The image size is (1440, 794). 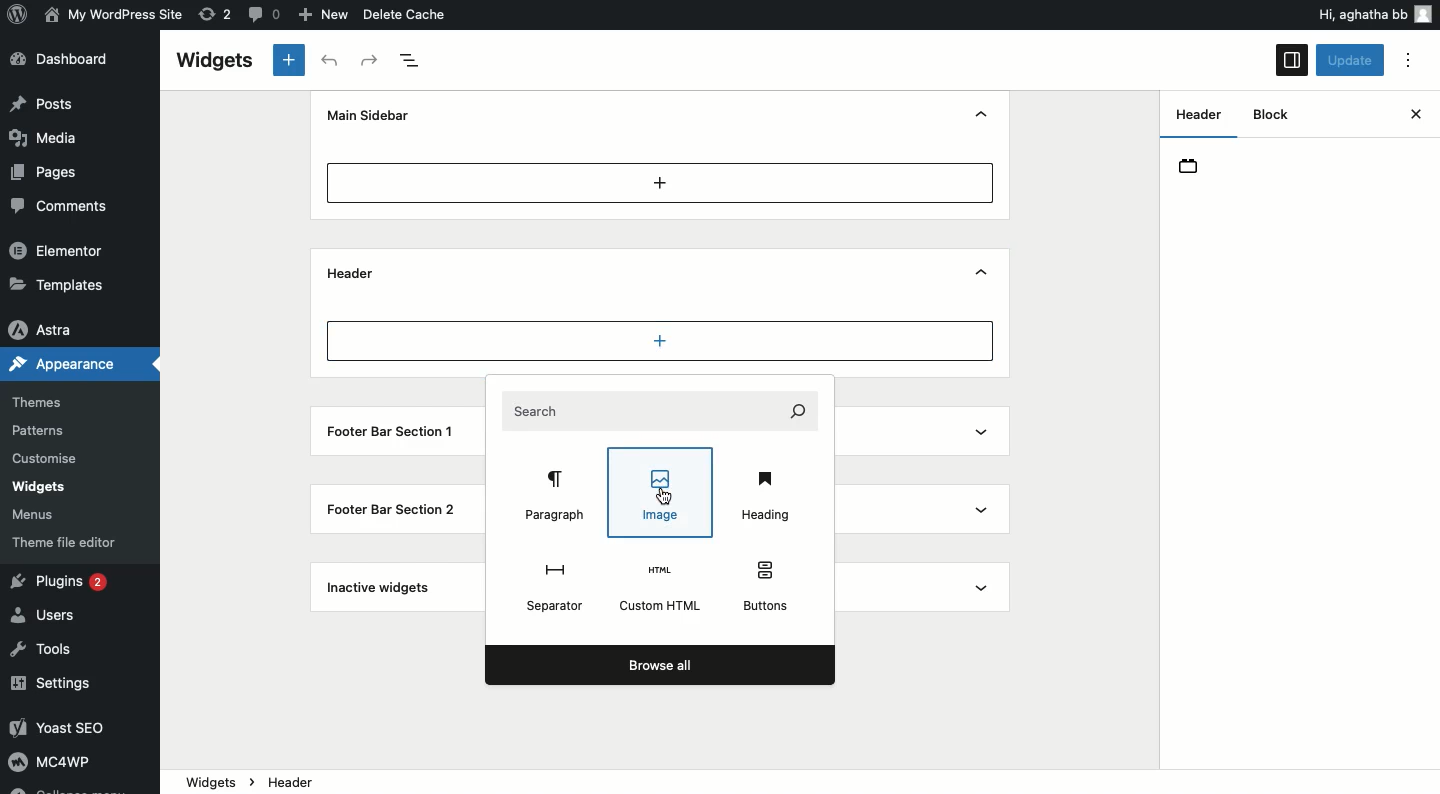 What do you see at coordinates (41, 430) in the screenshot?
I see `Patterns` at bounding box center [41, 430].